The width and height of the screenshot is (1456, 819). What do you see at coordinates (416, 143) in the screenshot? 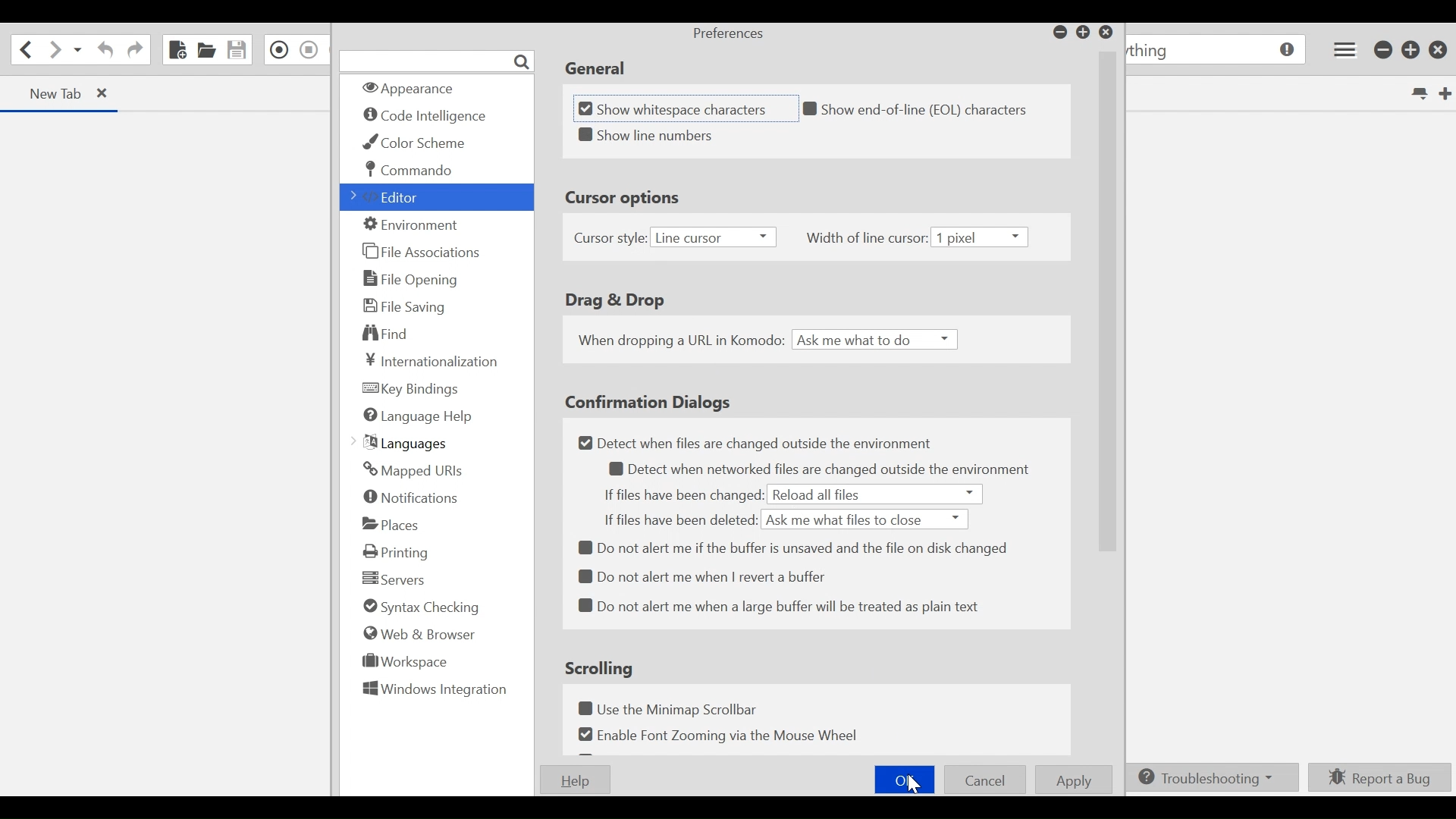
I see `Color Scheme` at bounding box center [416, 143].